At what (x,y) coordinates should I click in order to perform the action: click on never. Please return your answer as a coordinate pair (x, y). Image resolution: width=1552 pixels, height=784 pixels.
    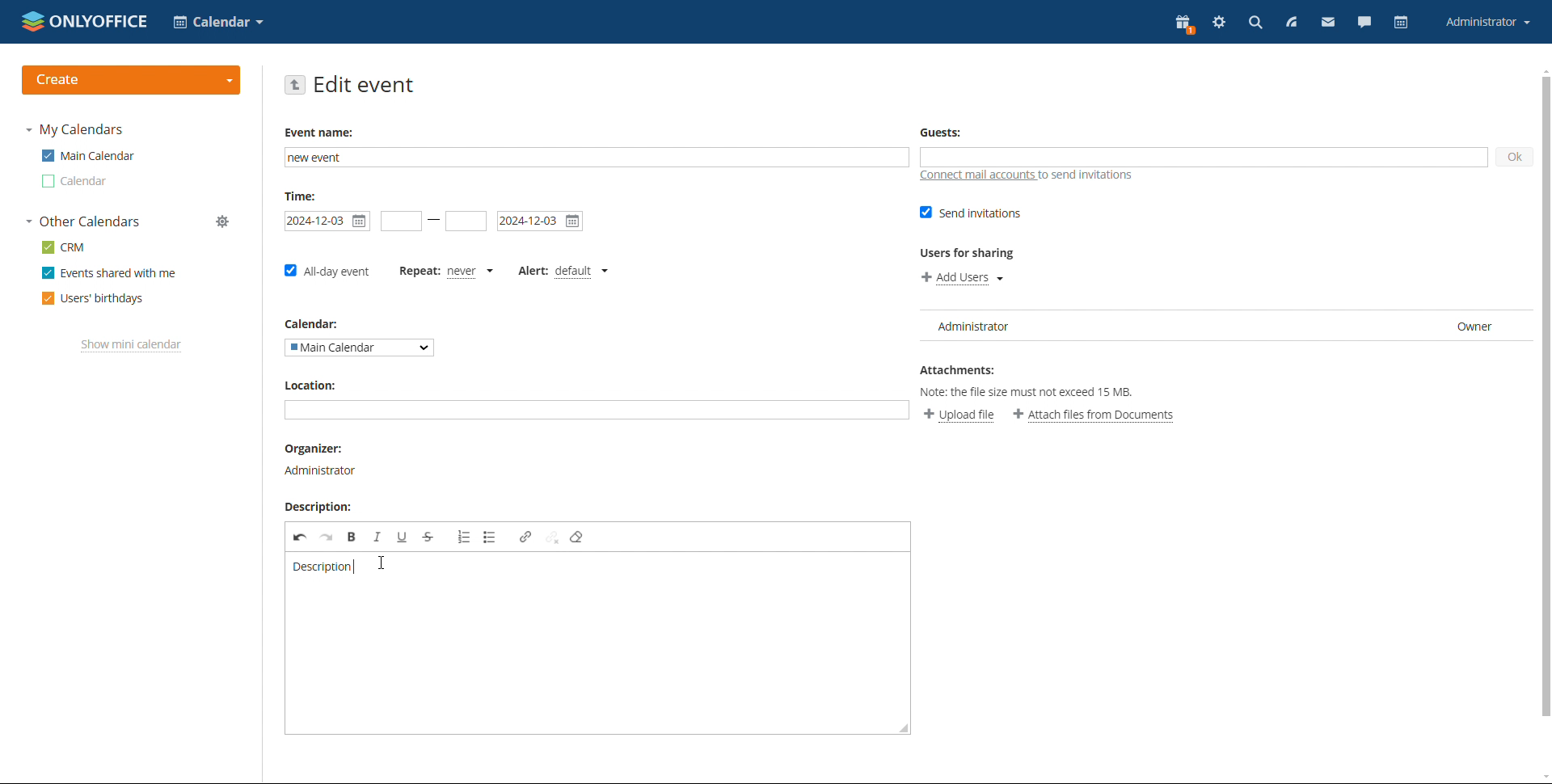
    Looking at the image, I should click on (474, 271).